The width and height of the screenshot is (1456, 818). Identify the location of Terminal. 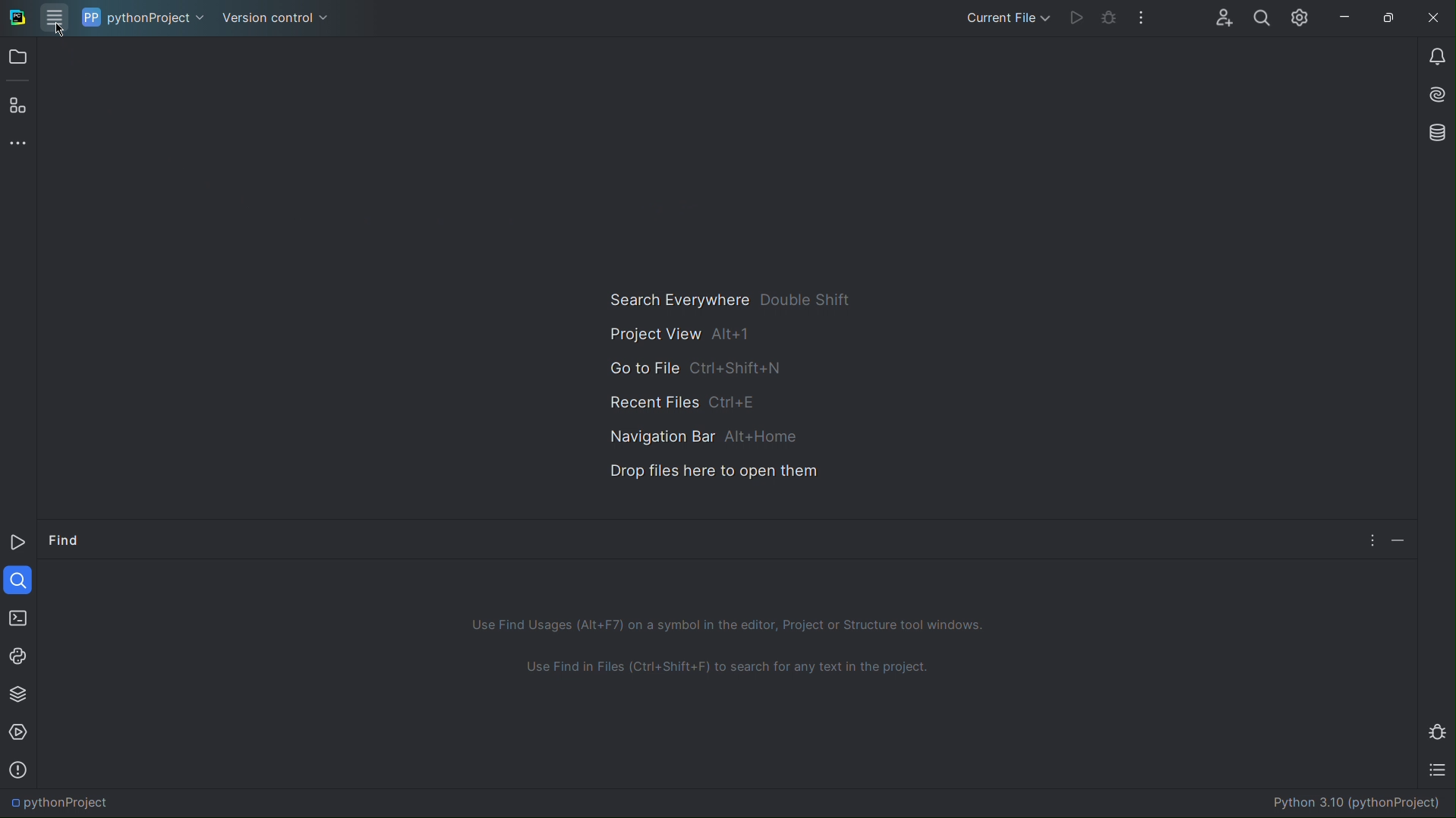
(17, 615).